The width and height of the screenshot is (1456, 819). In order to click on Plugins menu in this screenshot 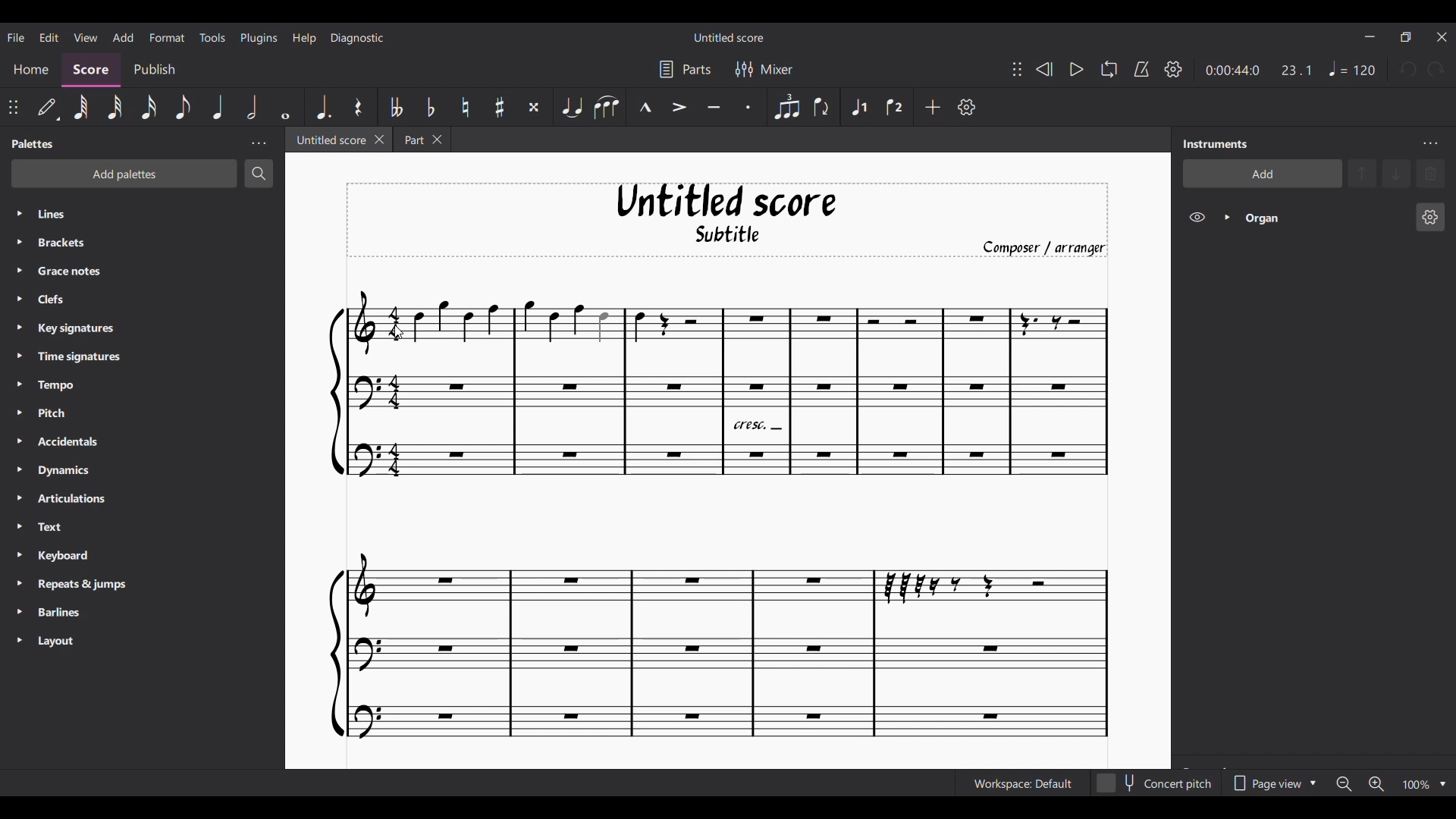, I will do `click(259, 38)`.